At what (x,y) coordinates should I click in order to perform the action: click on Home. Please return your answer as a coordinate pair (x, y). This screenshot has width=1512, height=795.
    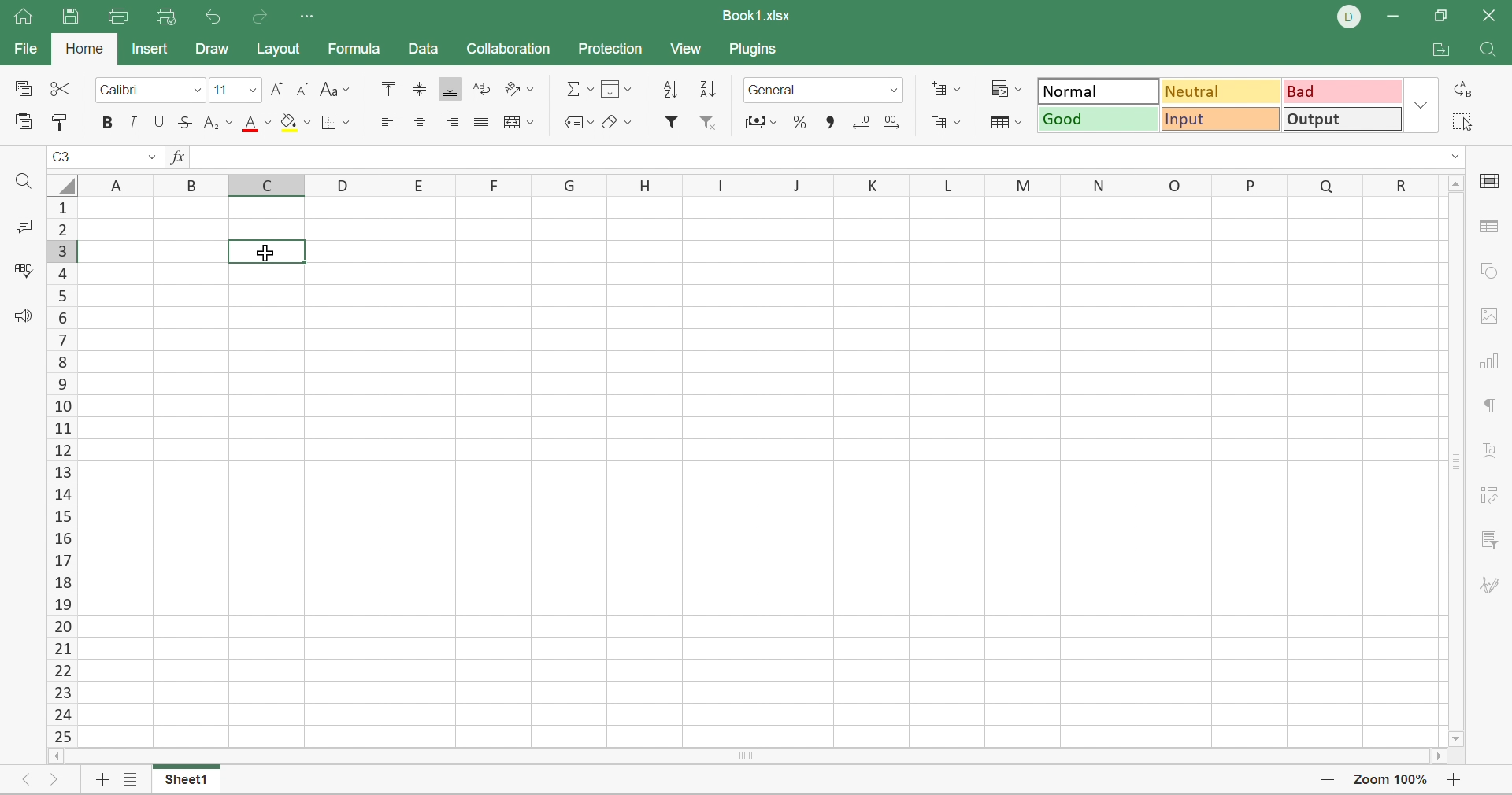
    Looking at the image, I should click on (83, 48).